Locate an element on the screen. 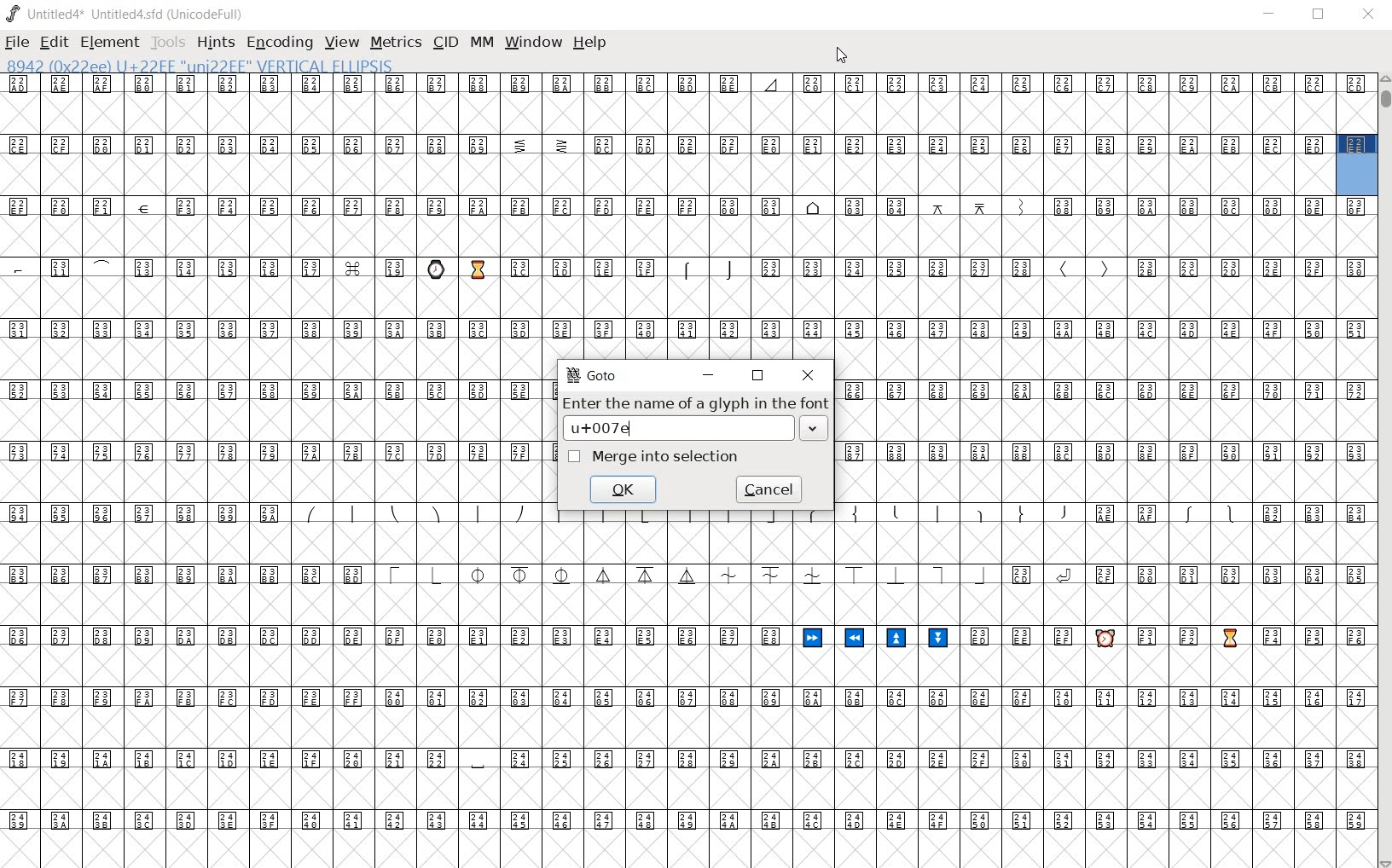 The height and width of the screenshot is (868, 1392). VIEW is located at coordinates (339, 42).